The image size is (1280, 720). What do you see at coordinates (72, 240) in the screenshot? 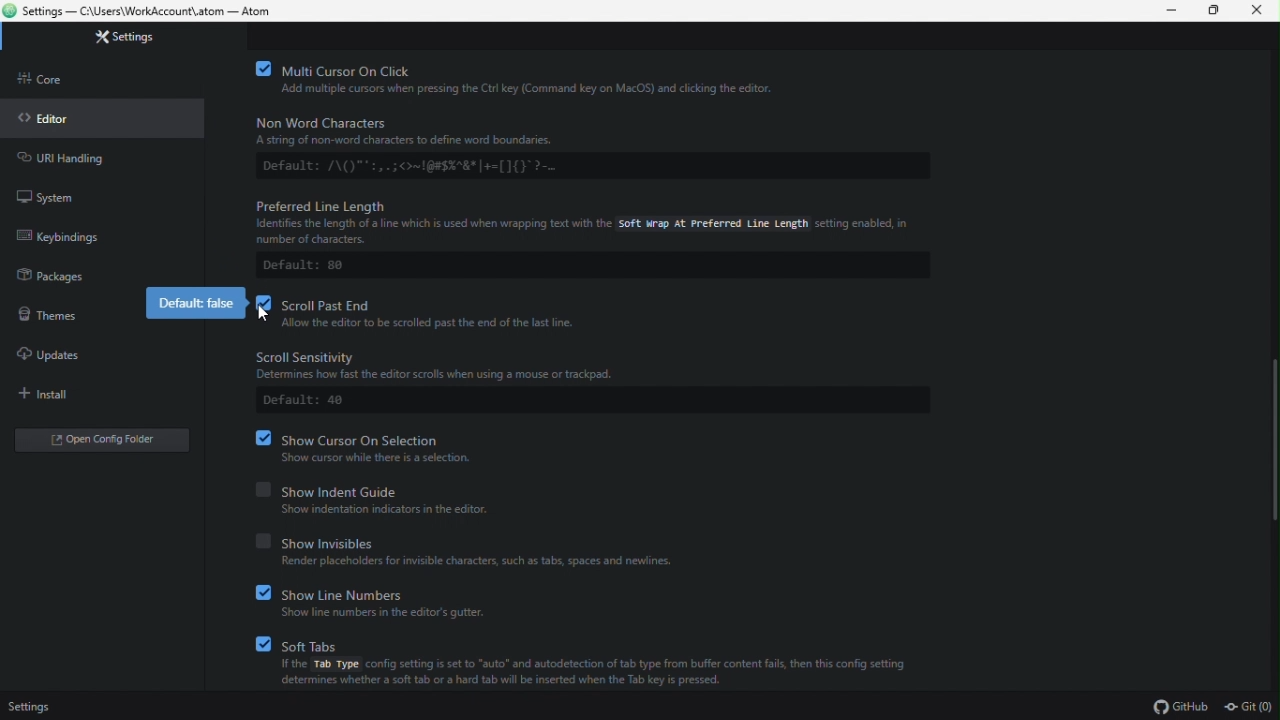
I see `Key winding` at bounding box center [72, 240].